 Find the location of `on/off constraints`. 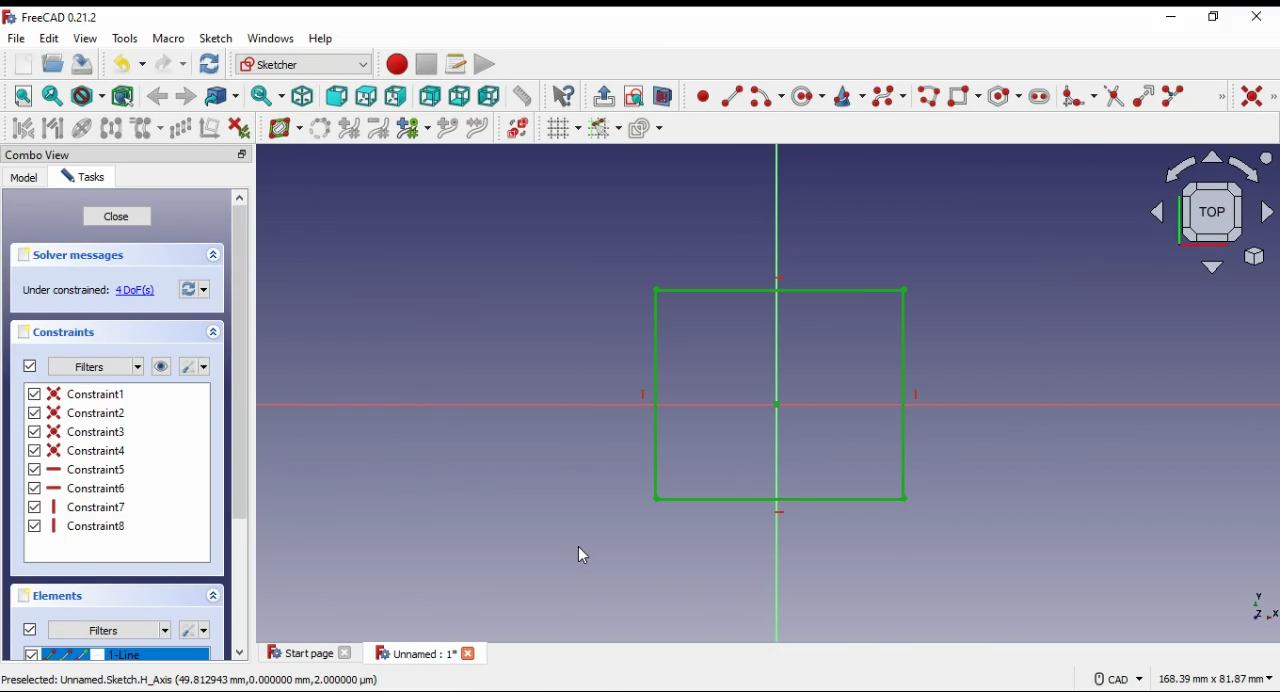

on/off constraints is located at coordinates (31, 366).